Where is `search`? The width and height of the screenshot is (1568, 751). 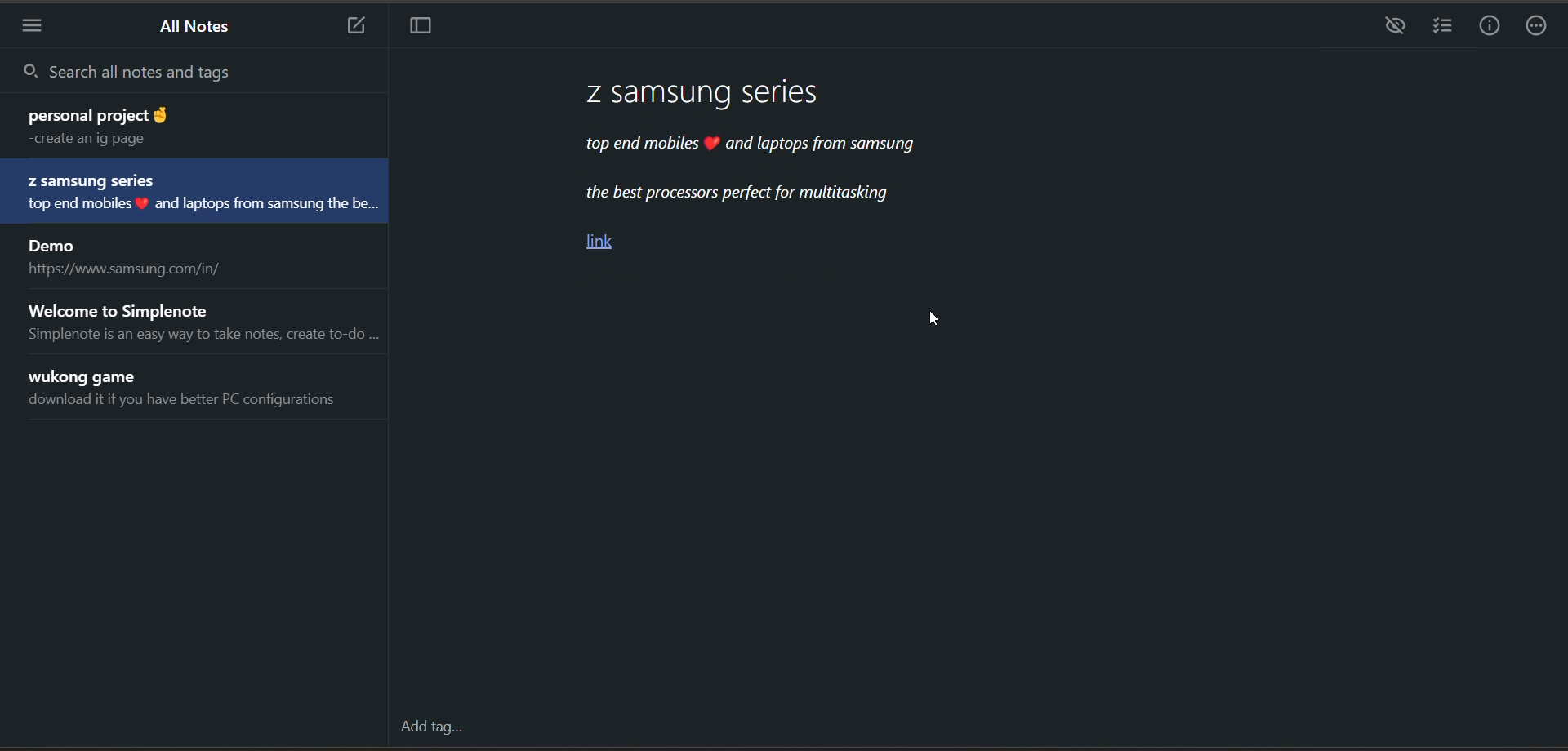 search is located at coordinates (192, 71).